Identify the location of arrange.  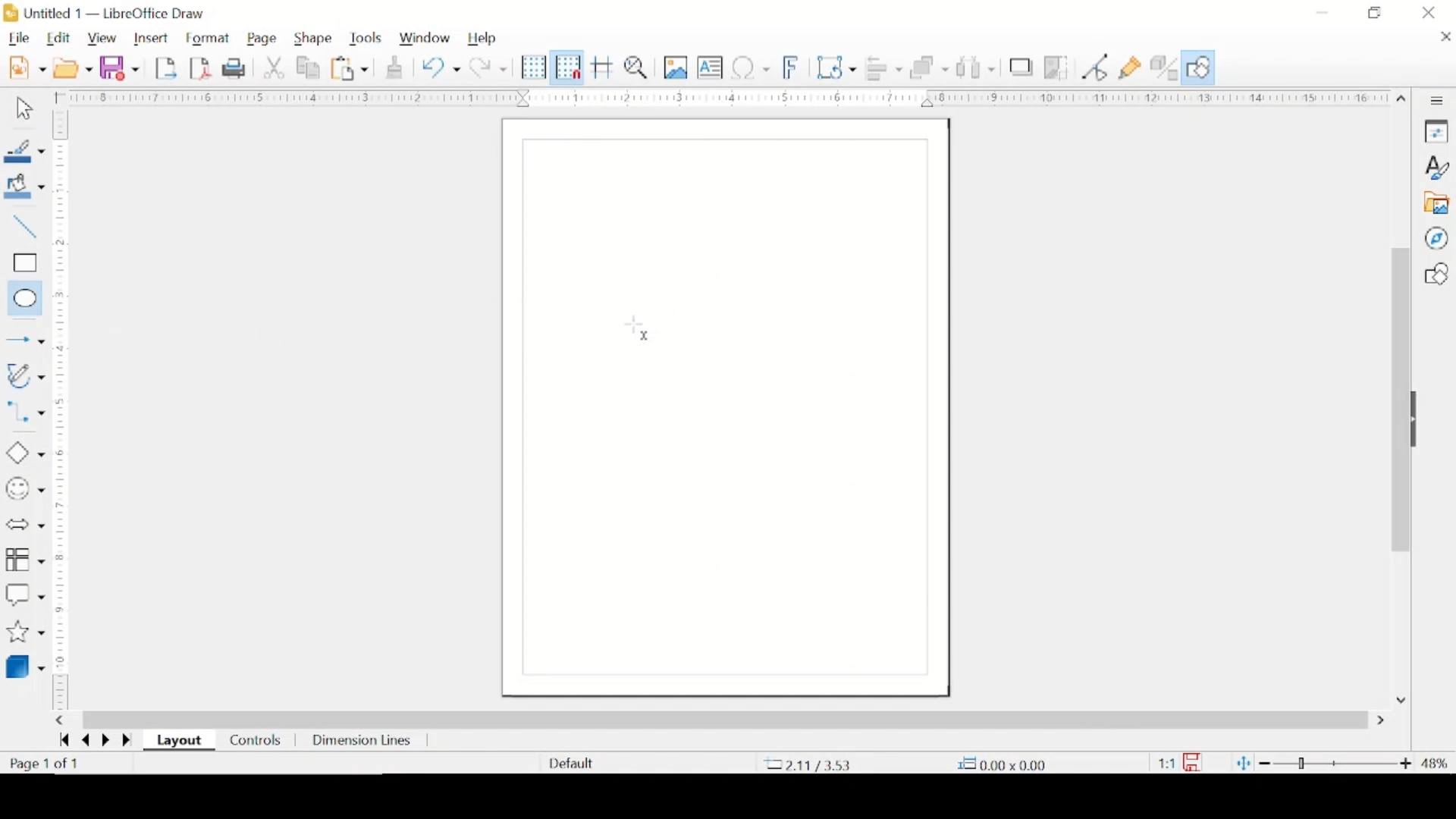
(928, 67).